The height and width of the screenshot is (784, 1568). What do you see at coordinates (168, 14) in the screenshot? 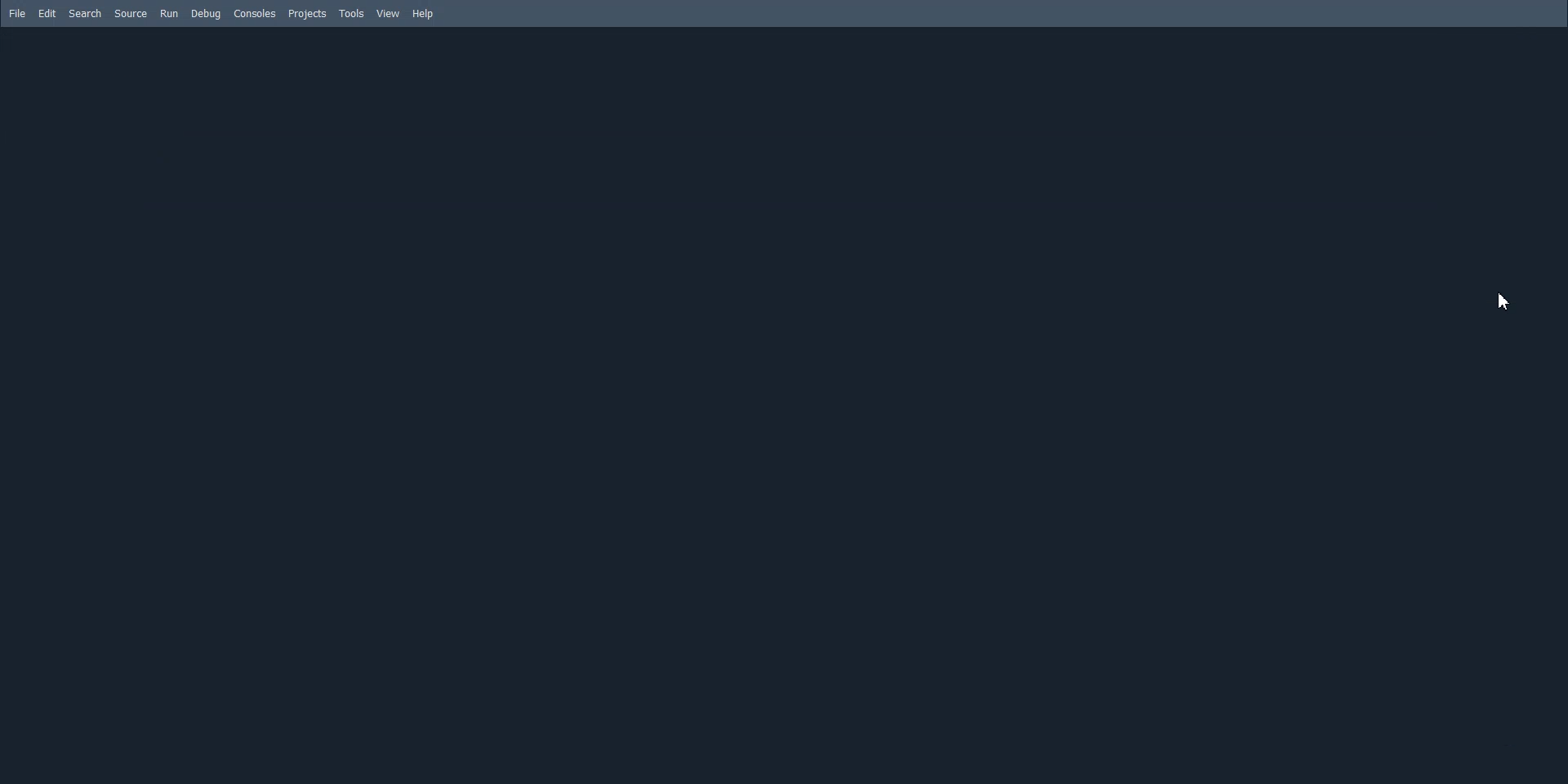
I see `Run` at bounding box center [168, 14].